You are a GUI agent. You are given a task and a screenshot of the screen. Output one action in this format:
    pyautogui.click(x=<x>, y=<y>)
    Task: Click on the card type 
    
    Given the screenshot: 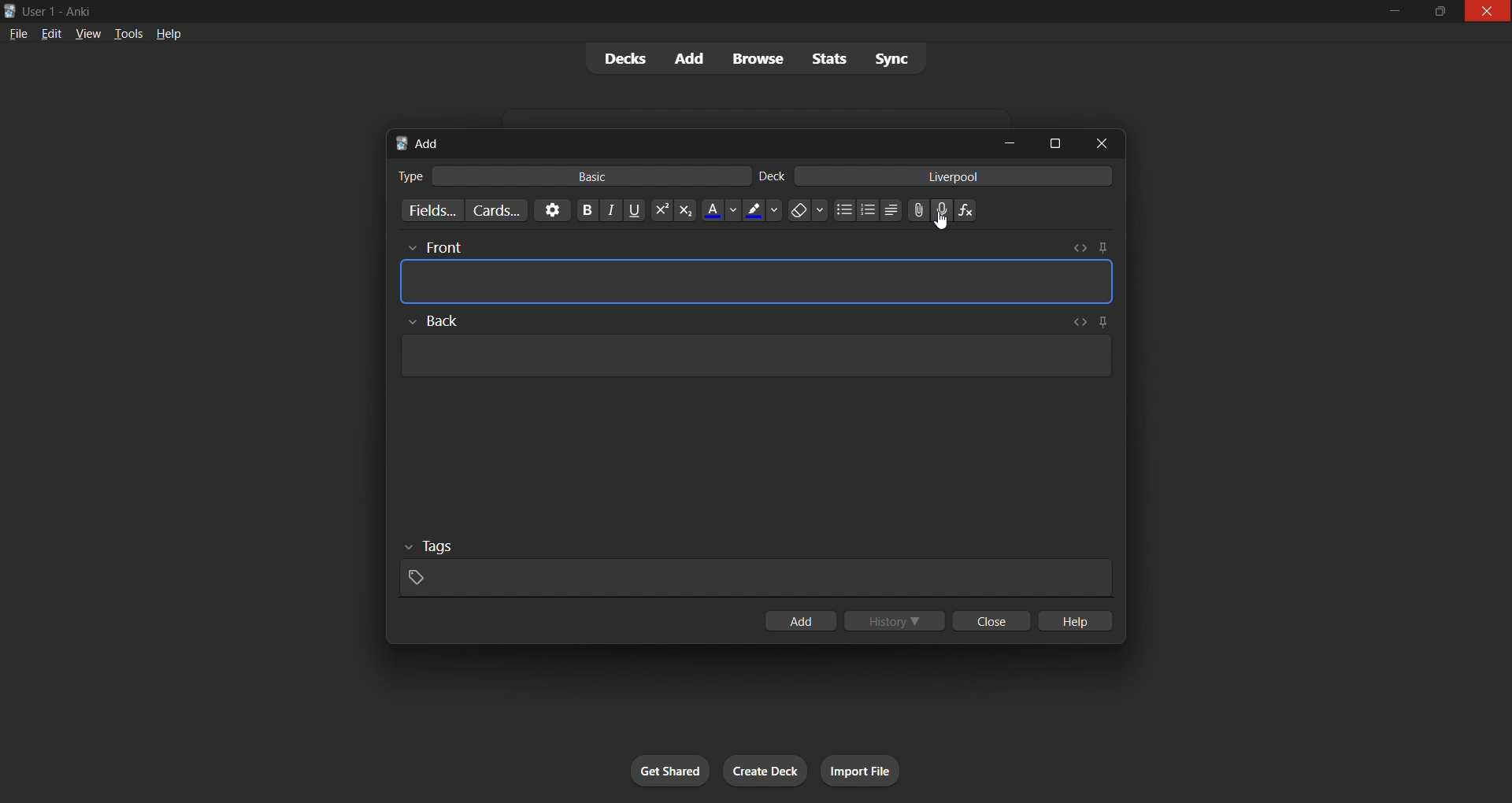 What is the action you would take?
    pyautogui.click(x=406, y=175)
    